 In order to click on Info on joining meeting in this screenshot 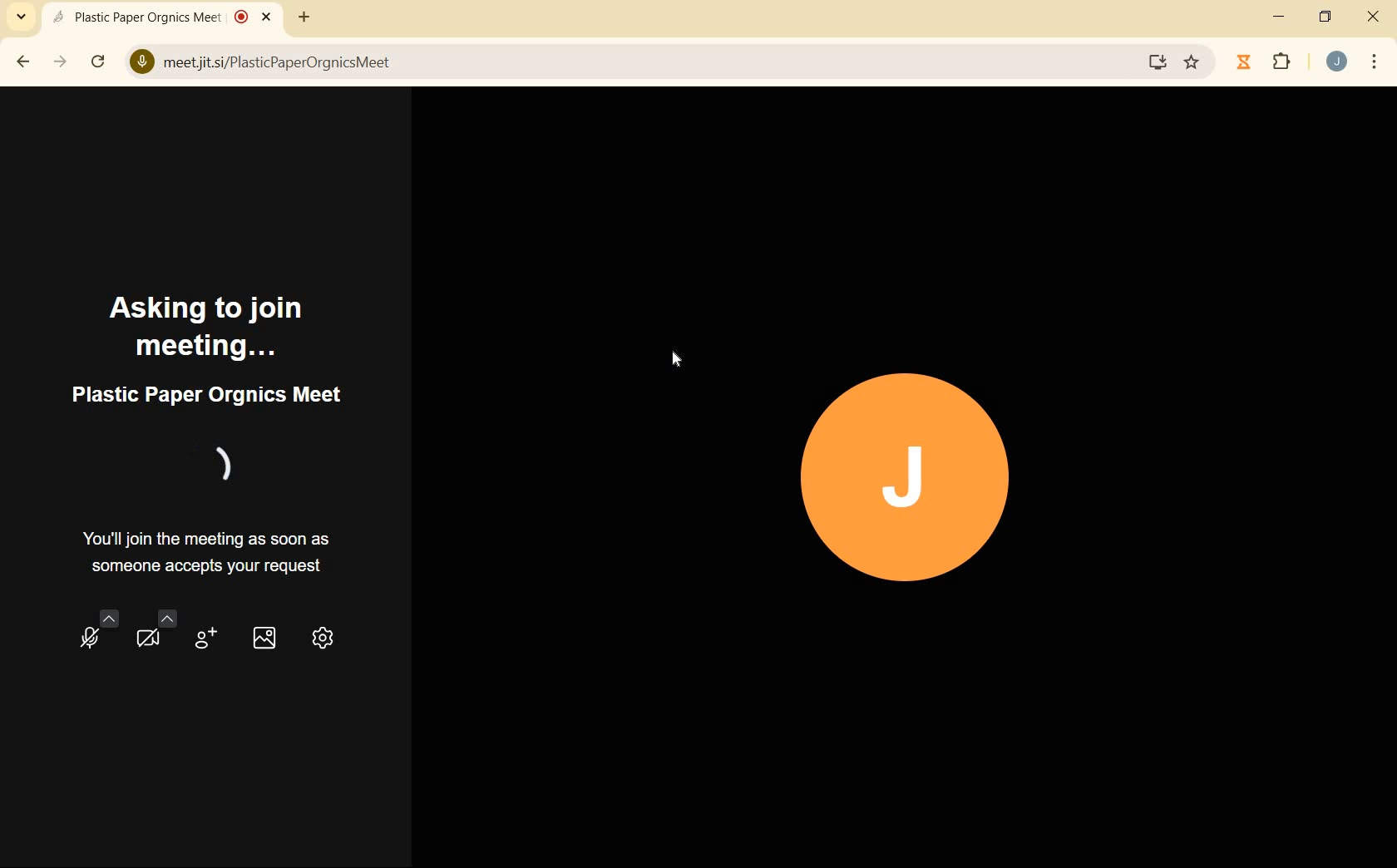, I will do `click(214, 554)`.